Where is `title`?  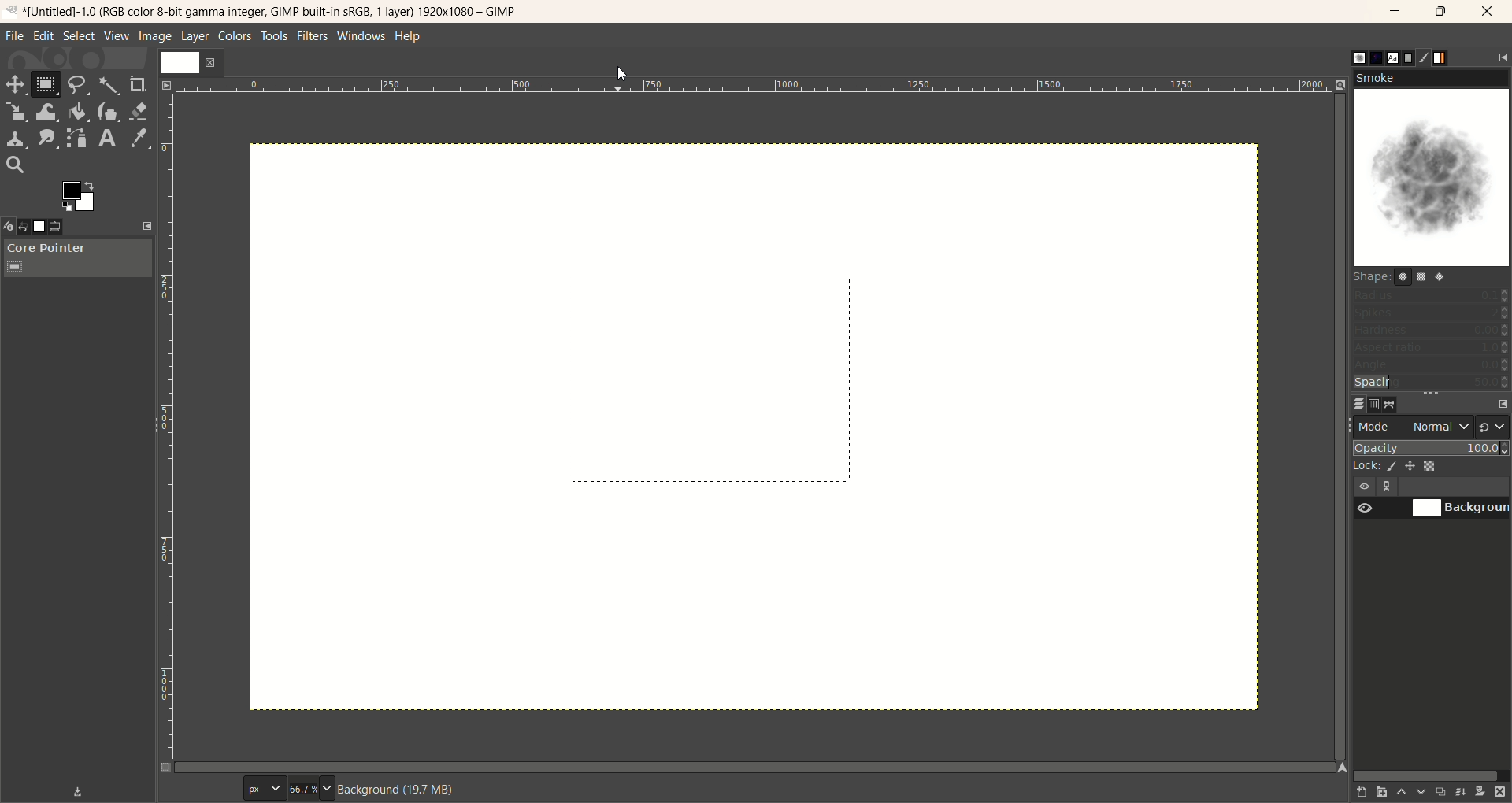
title is located at coordinates (272, 11).